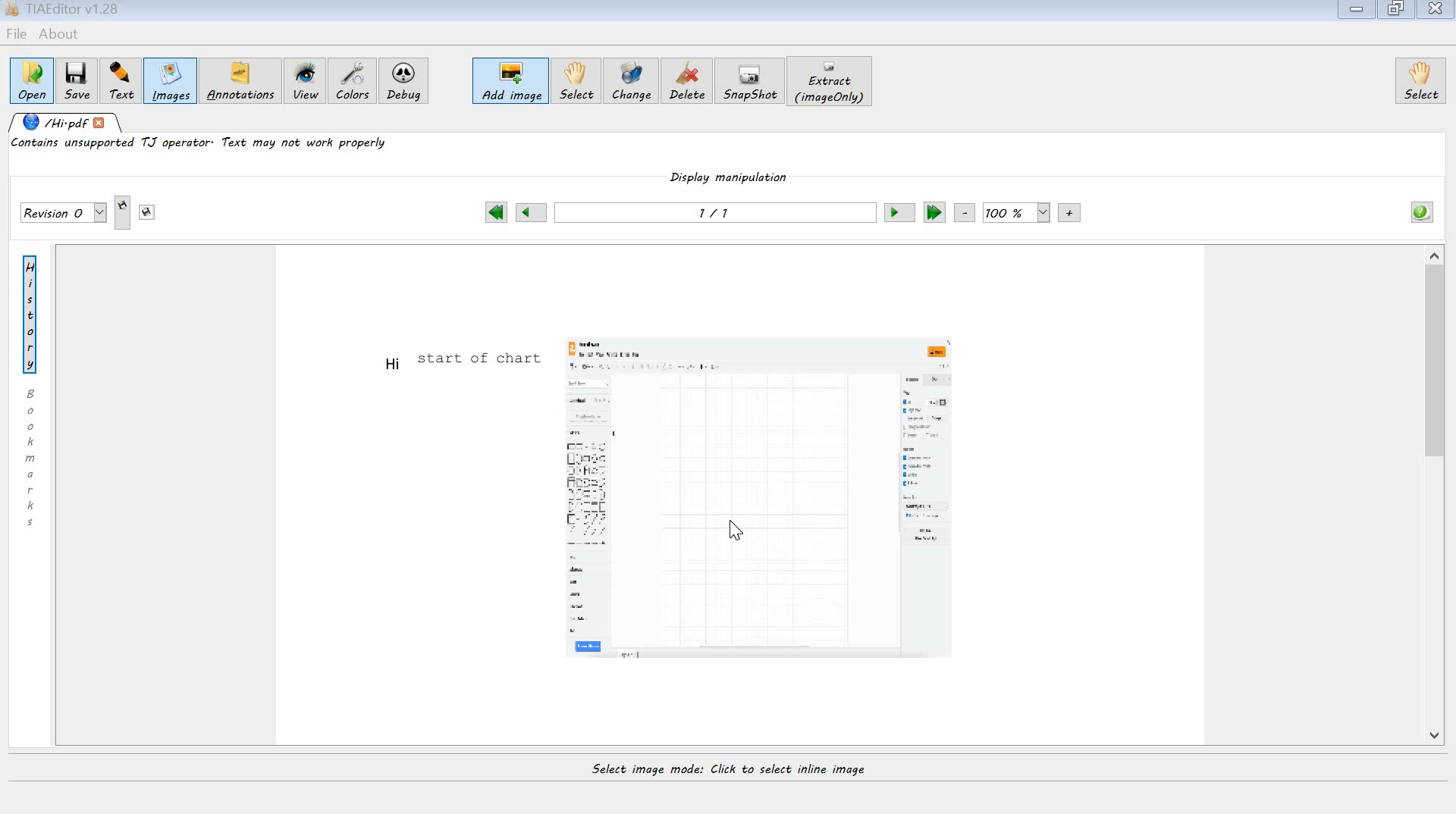  Describe the element at coordinates (63, 214) in the screenshot. I see `save revisions` at that location.